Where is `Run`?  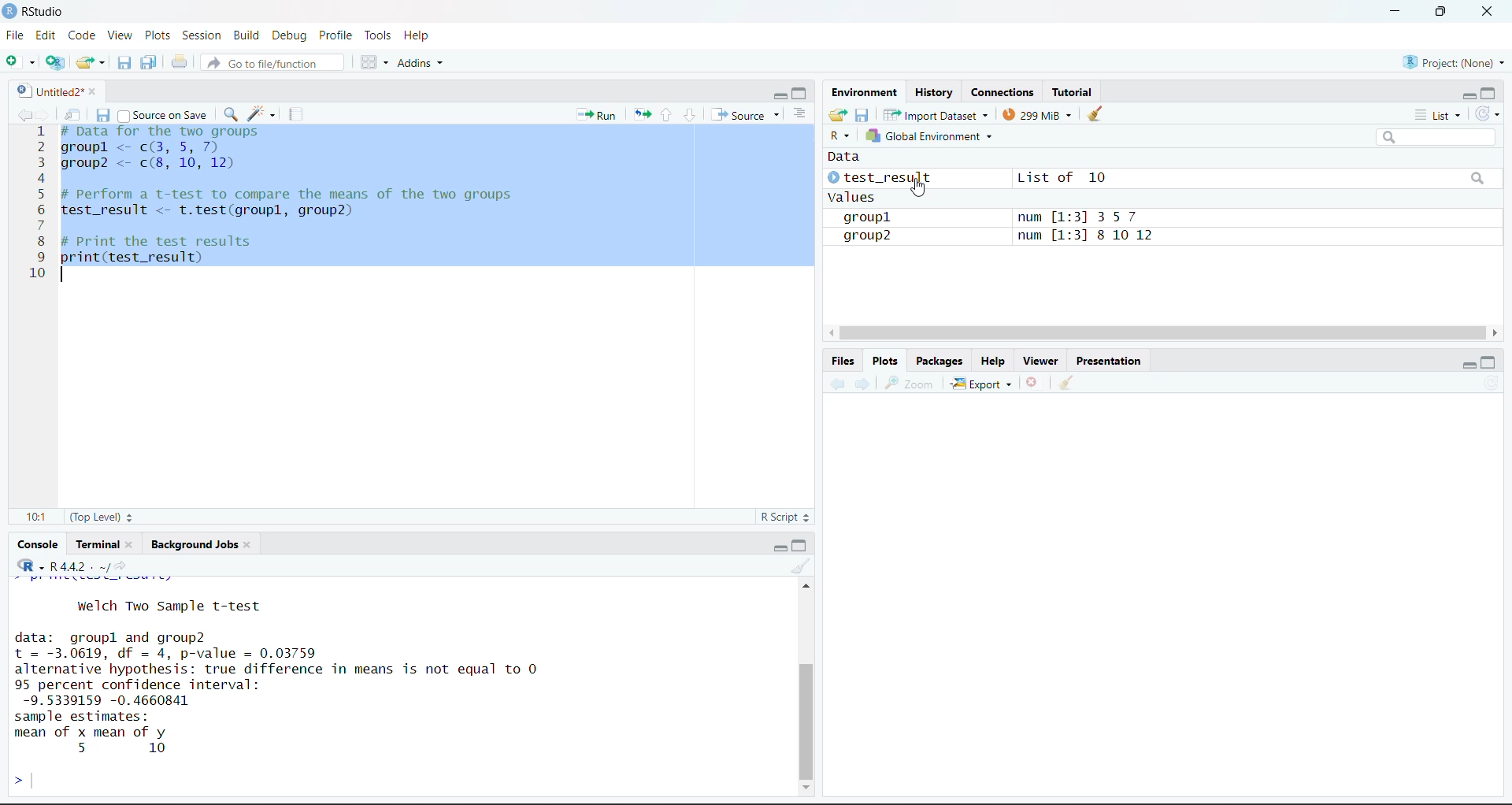
Run is located at coordinates (597, 115).